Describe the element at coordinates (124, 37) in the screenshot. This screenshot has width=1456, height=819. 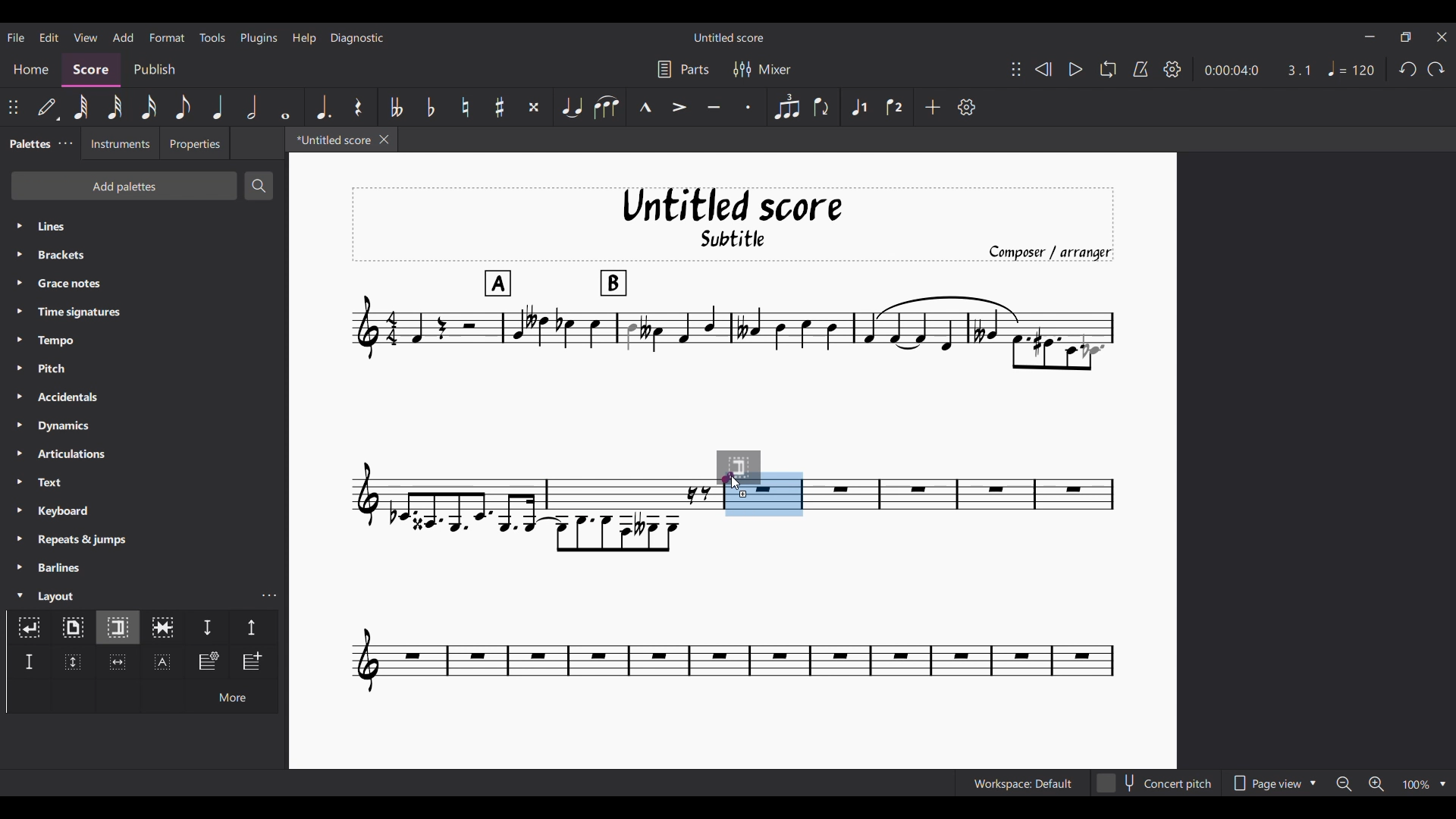
I see `Add menu` at that location.